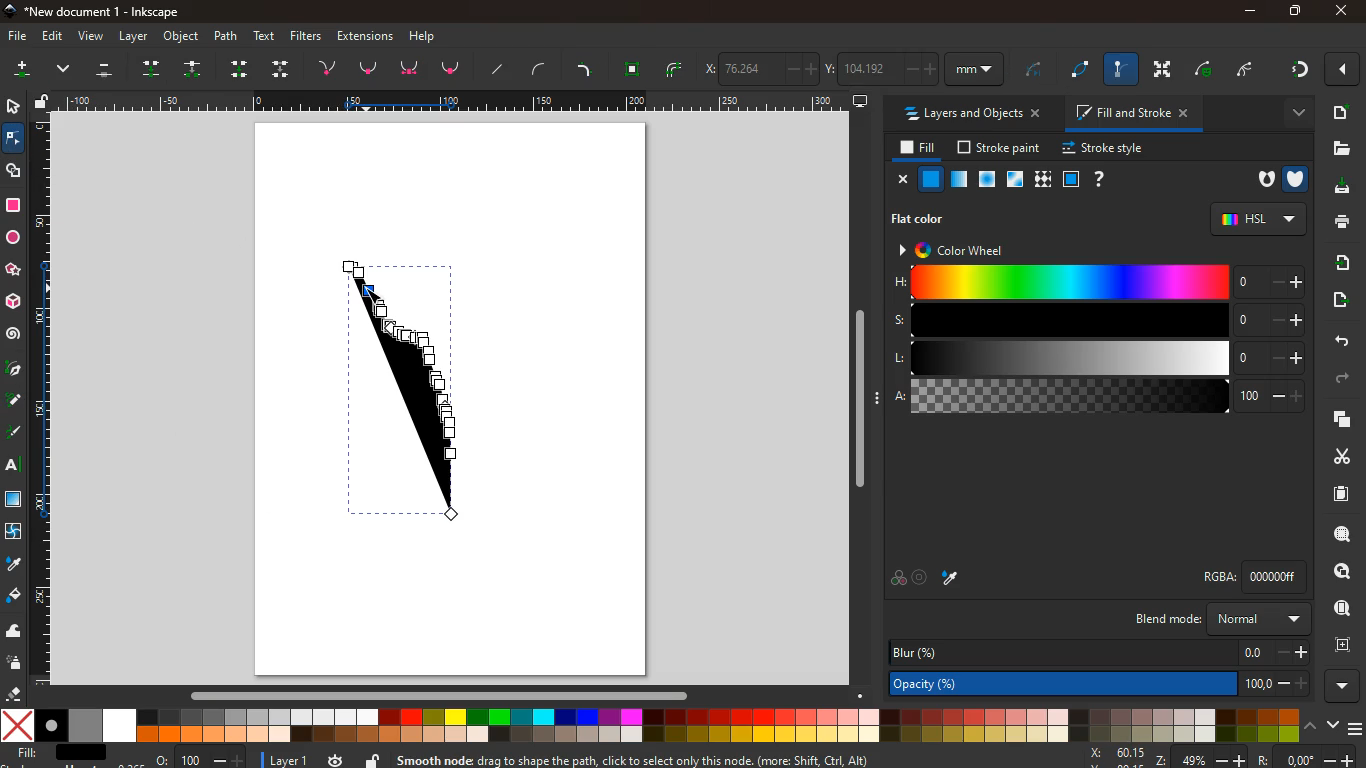 The height and width of the screenshot is (768, 1366). I want to click on paint, so click(15, 597).